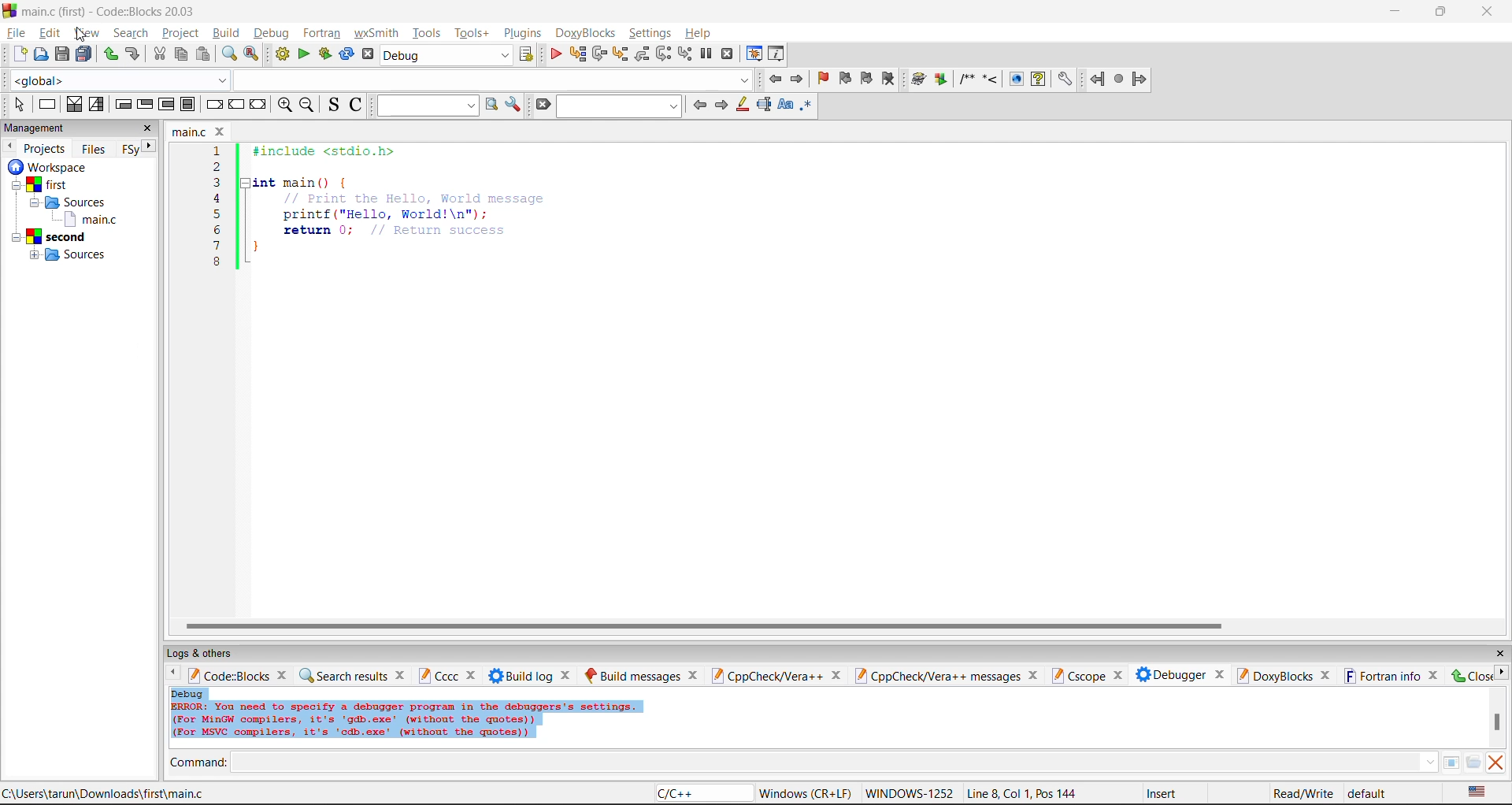  I want to click on files, so click(98, 151).